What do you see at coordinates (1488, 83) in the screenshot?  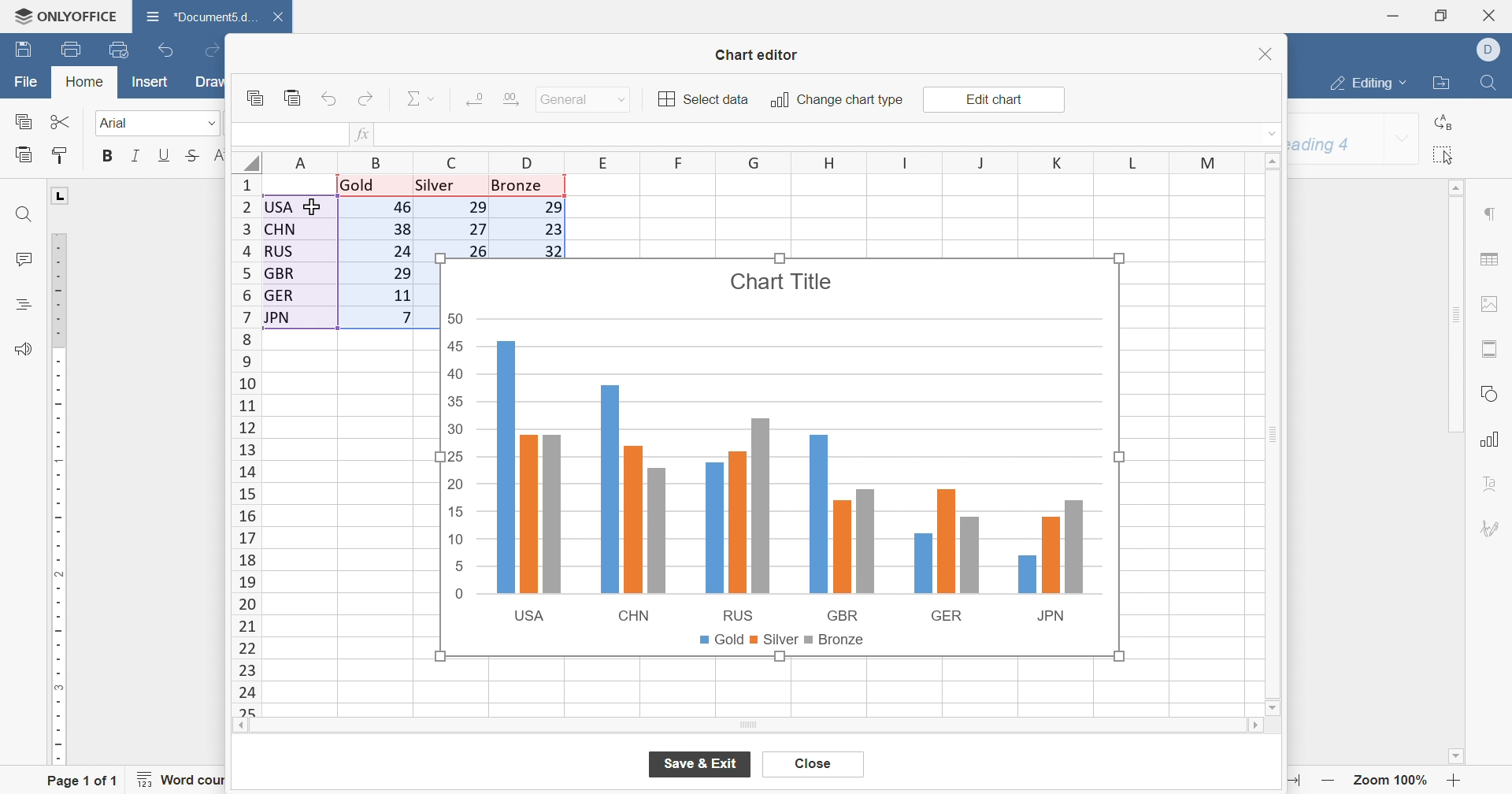 I see `find` at bounding box center [1488, 83].